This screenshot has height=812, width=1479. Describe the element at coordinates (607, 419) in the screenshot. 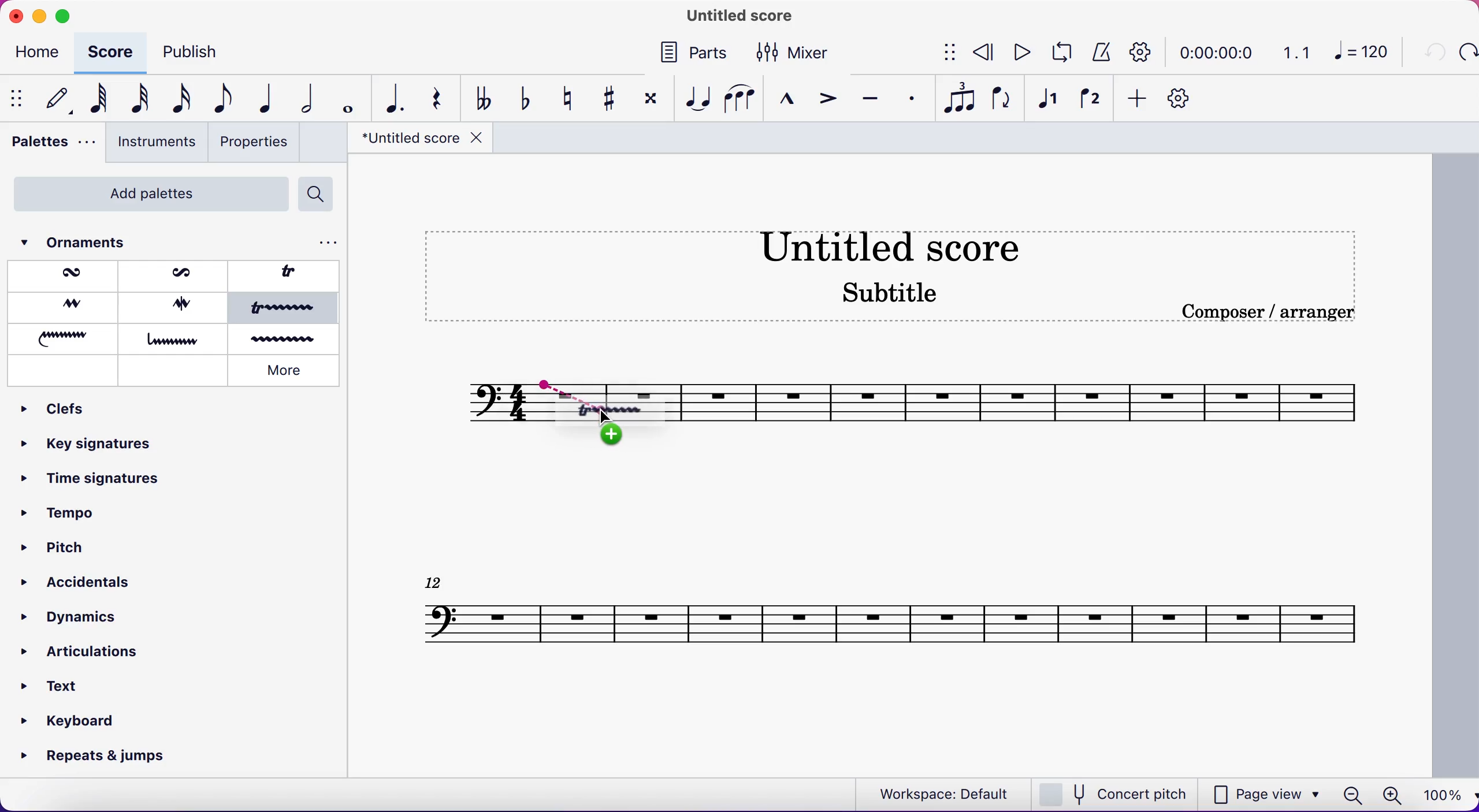

I see `cursor` at that location.